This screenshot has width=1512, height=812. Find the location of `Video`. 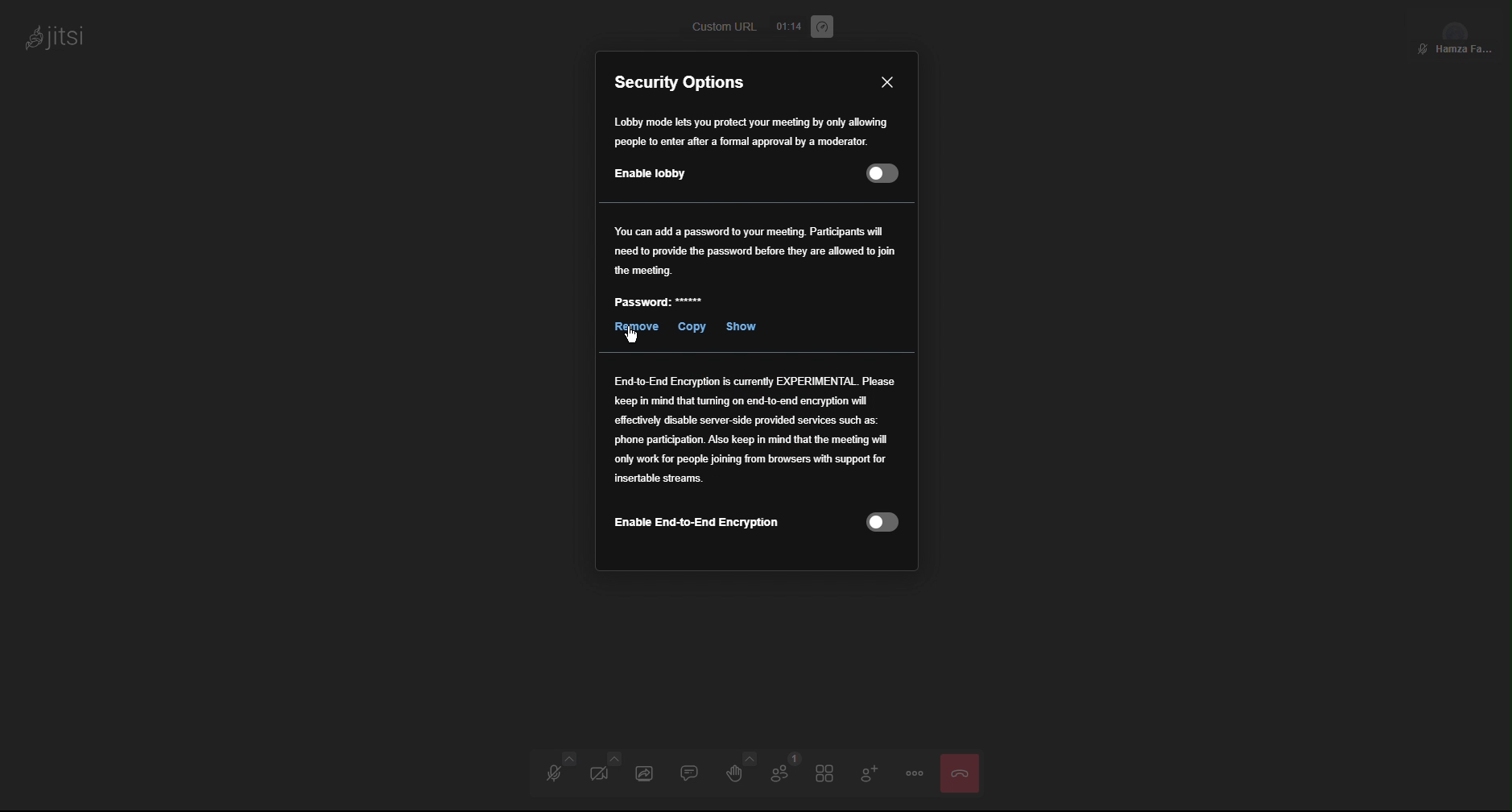

Video is located at coordinates (604, 773).